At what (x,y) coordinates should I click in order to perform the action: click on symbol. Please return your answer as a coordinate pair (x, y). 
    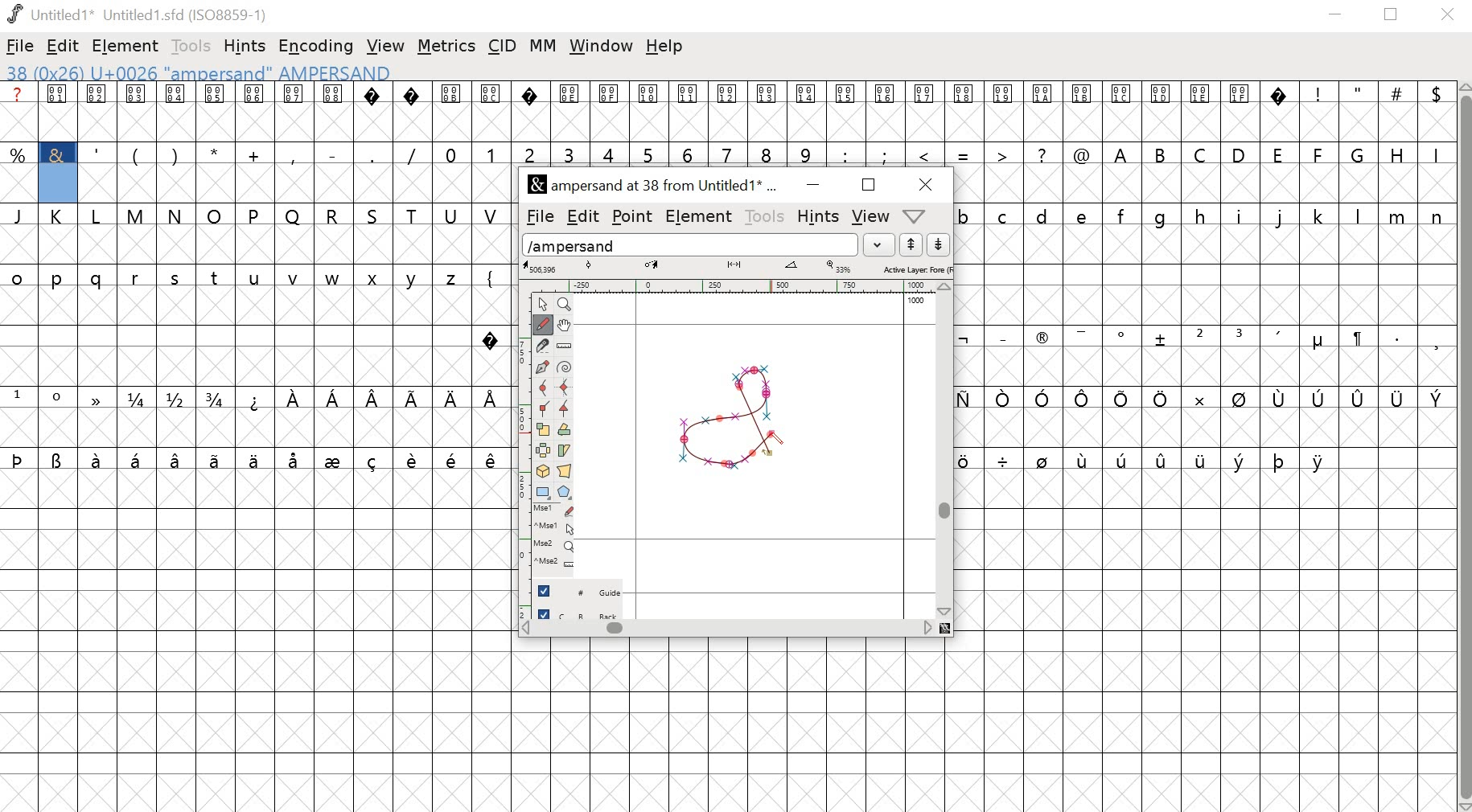
    Looking at the image, I should click on (1162, 338).